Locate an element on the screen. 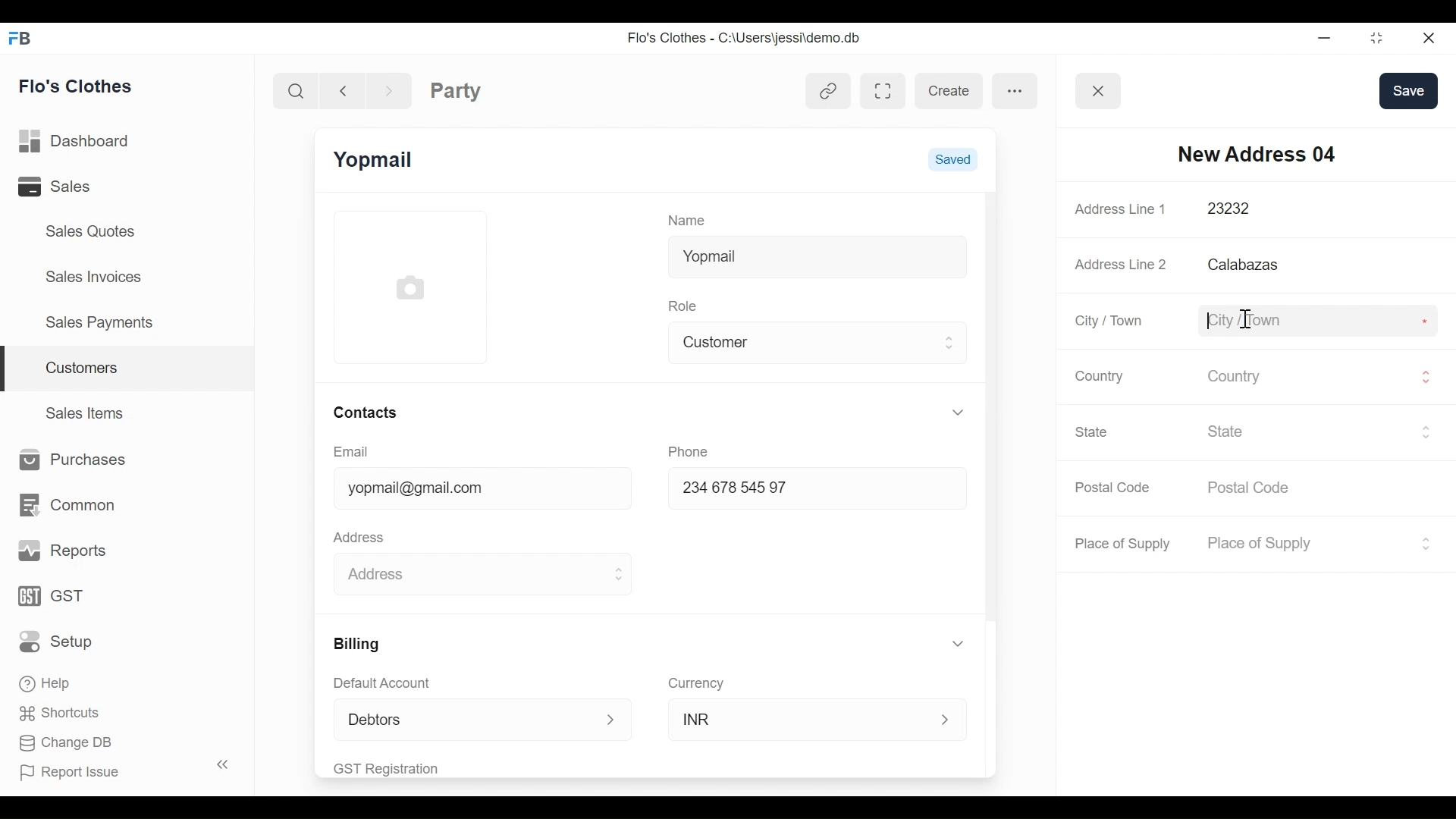 The height and width of the screenshot is (819, 1456). Expand is located at coordinates (958, 412).